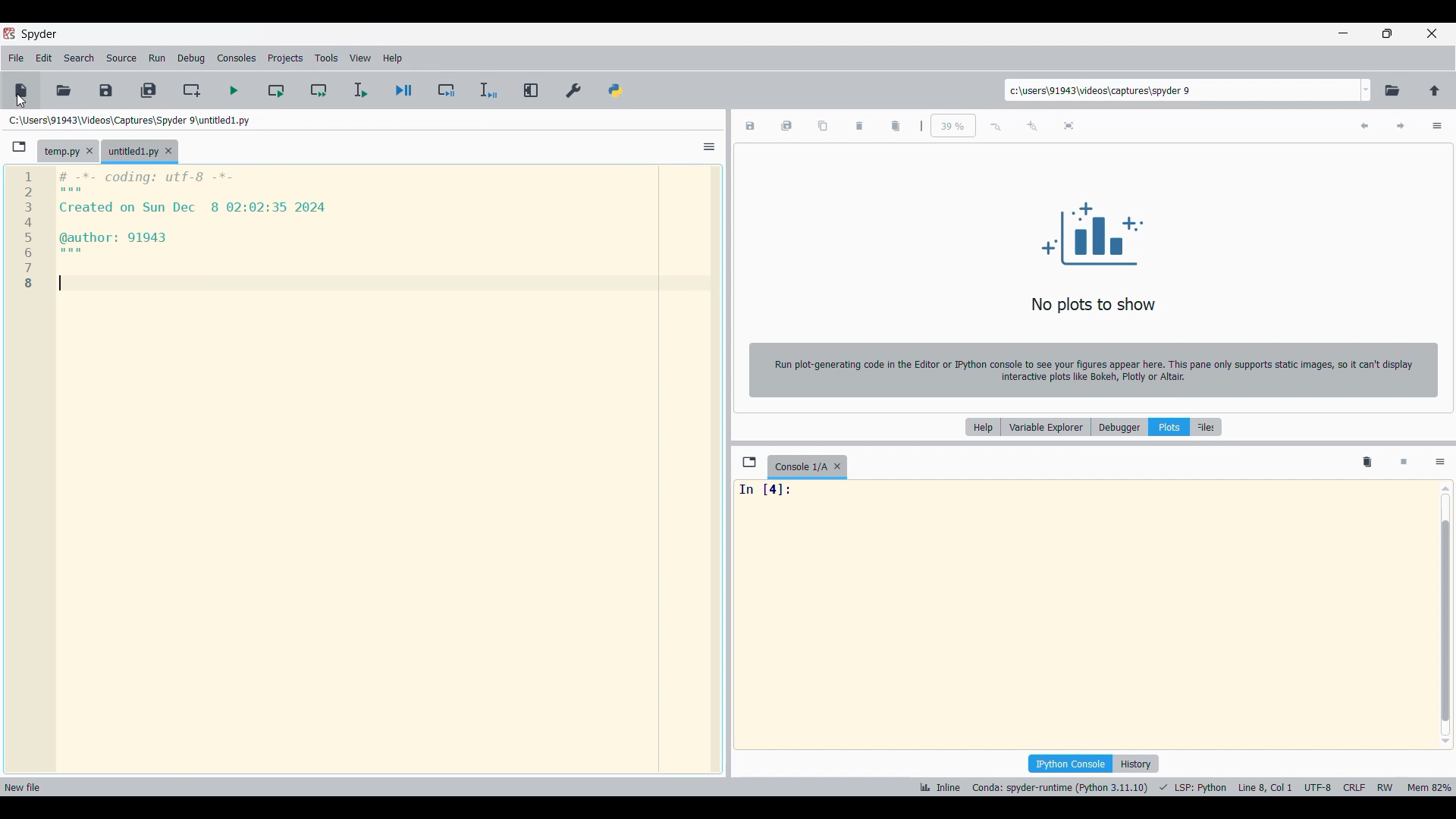 This screenshot has width=1456, height=819. What do you see at coordinates (574, 90) in the screenshot?
I see `Preferences` at bounding box center [574, 90].